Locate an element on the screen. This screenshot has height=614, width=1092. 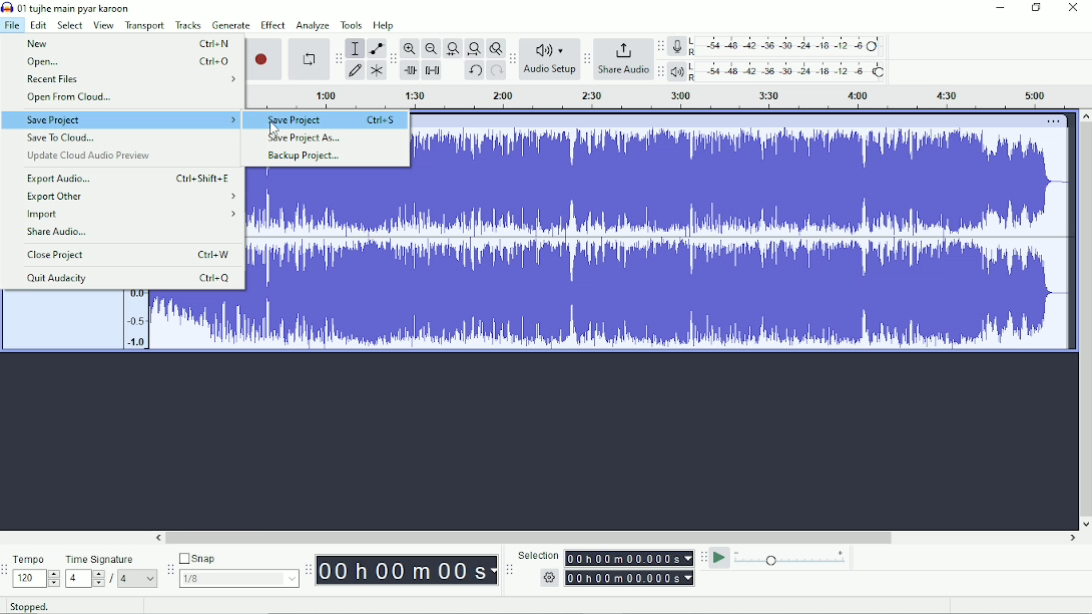
Save Project is located at coordinates (122, 120).